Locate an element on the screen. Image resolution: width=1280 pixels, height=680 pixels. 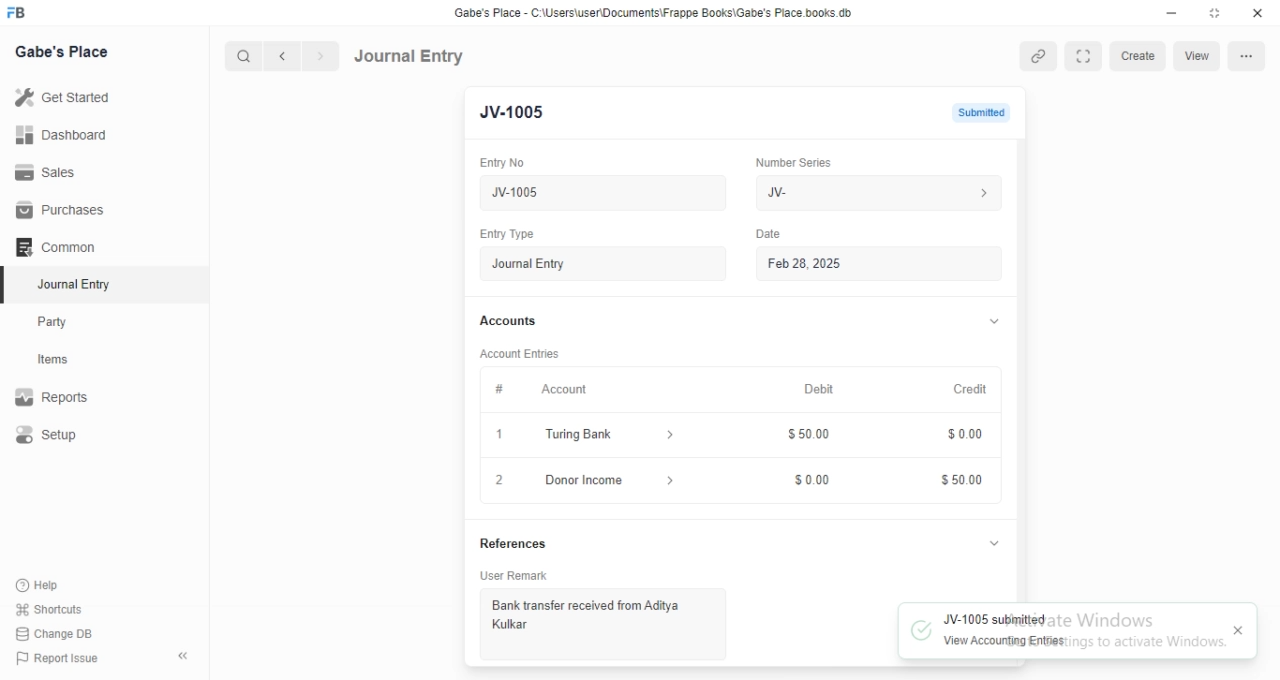
$000 is located at coordinates (815, 479).